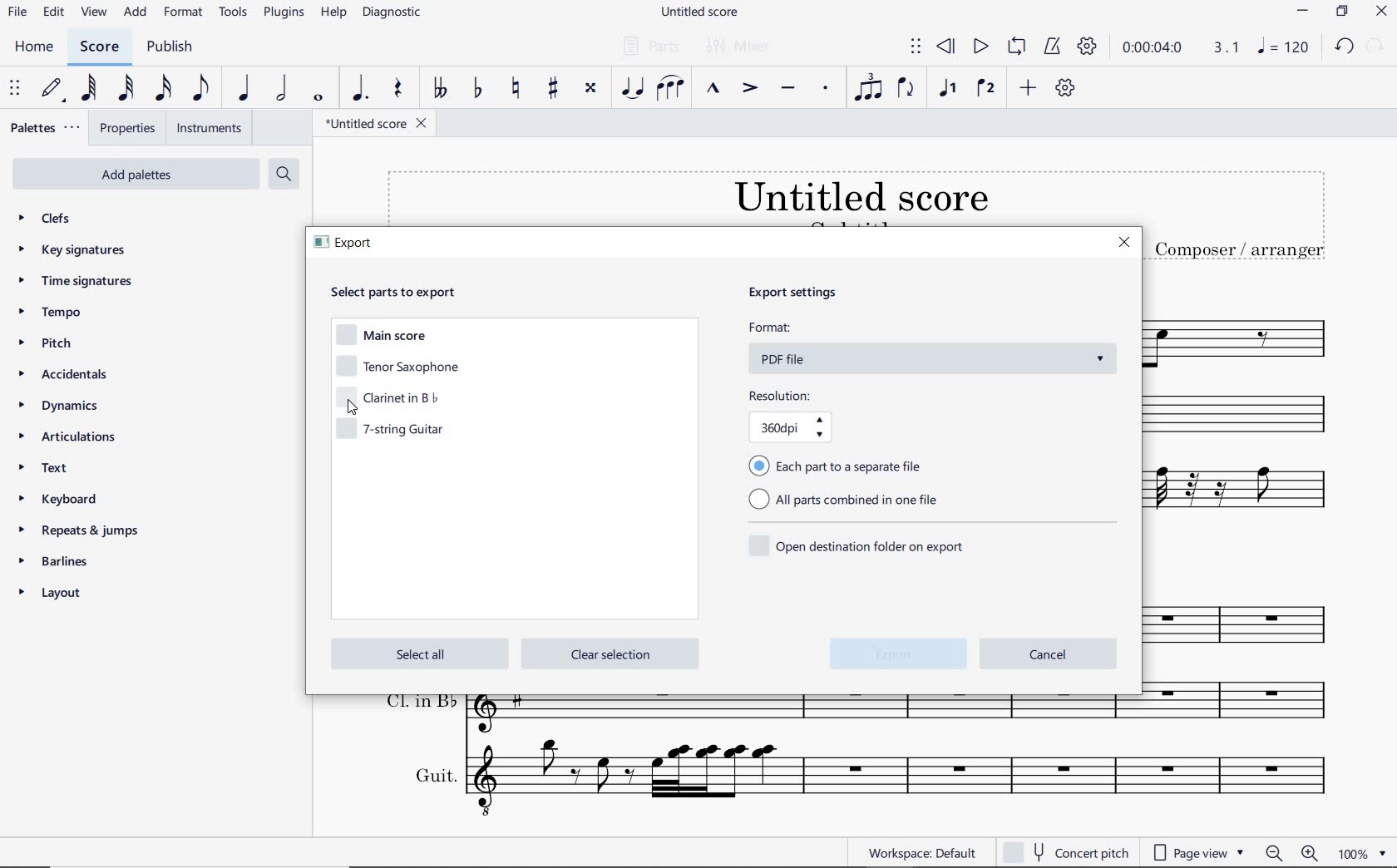  I want to click on DIAGNOSTIC, so click(392, 13).